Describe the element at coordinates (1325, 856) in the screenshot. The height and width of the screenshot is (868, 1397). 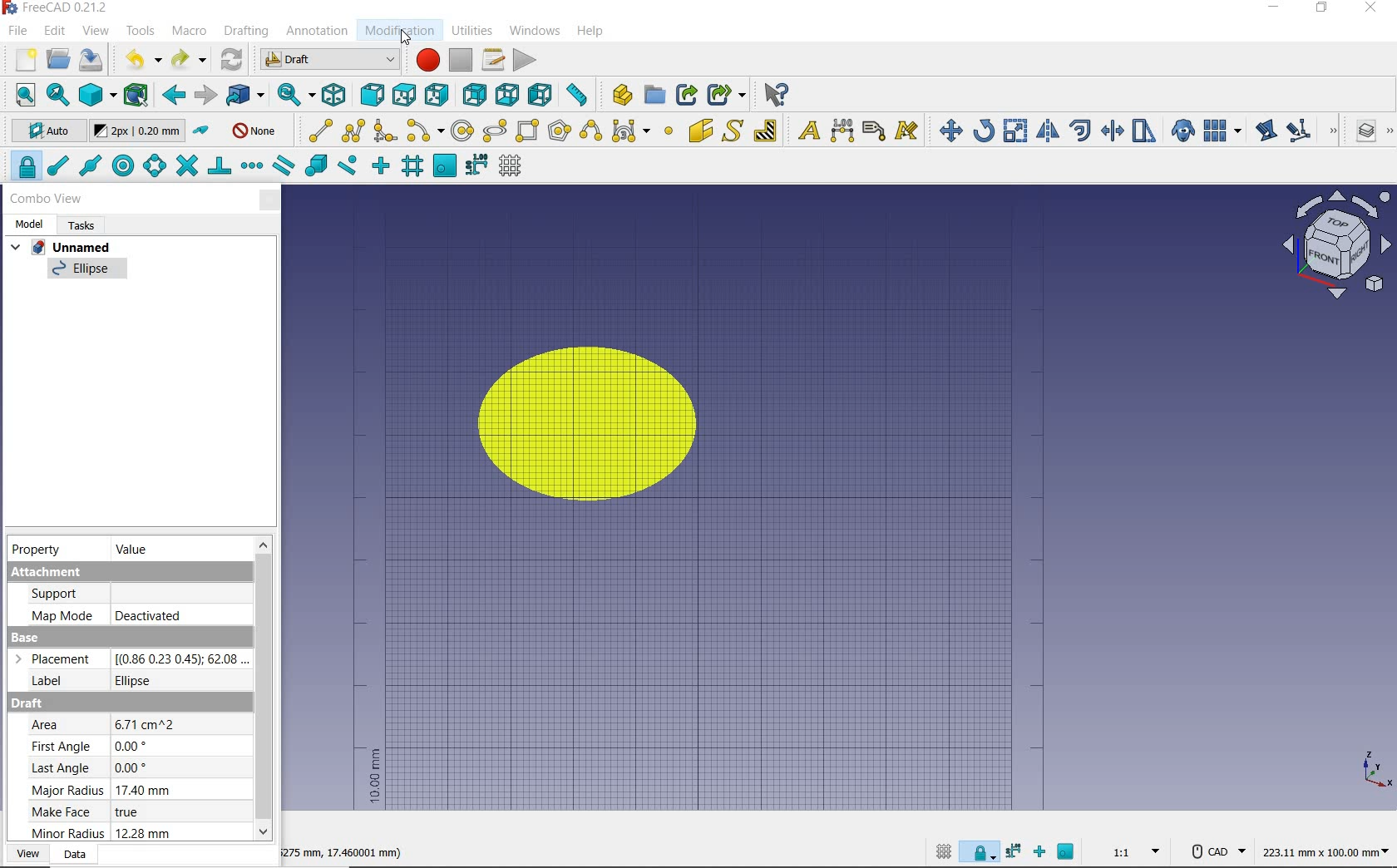
I see `dimension` at that location.